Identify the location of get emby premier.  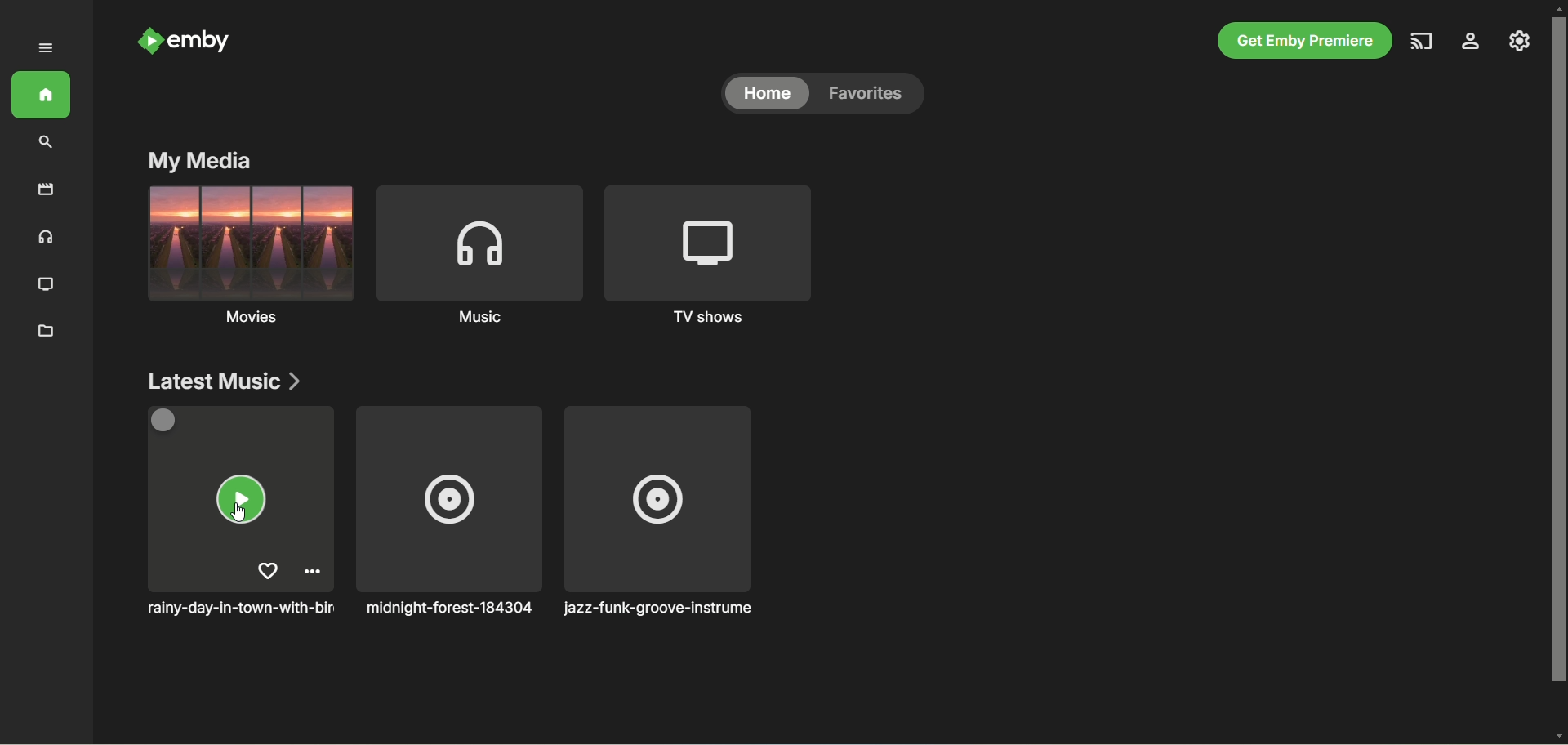
(1306, 42).